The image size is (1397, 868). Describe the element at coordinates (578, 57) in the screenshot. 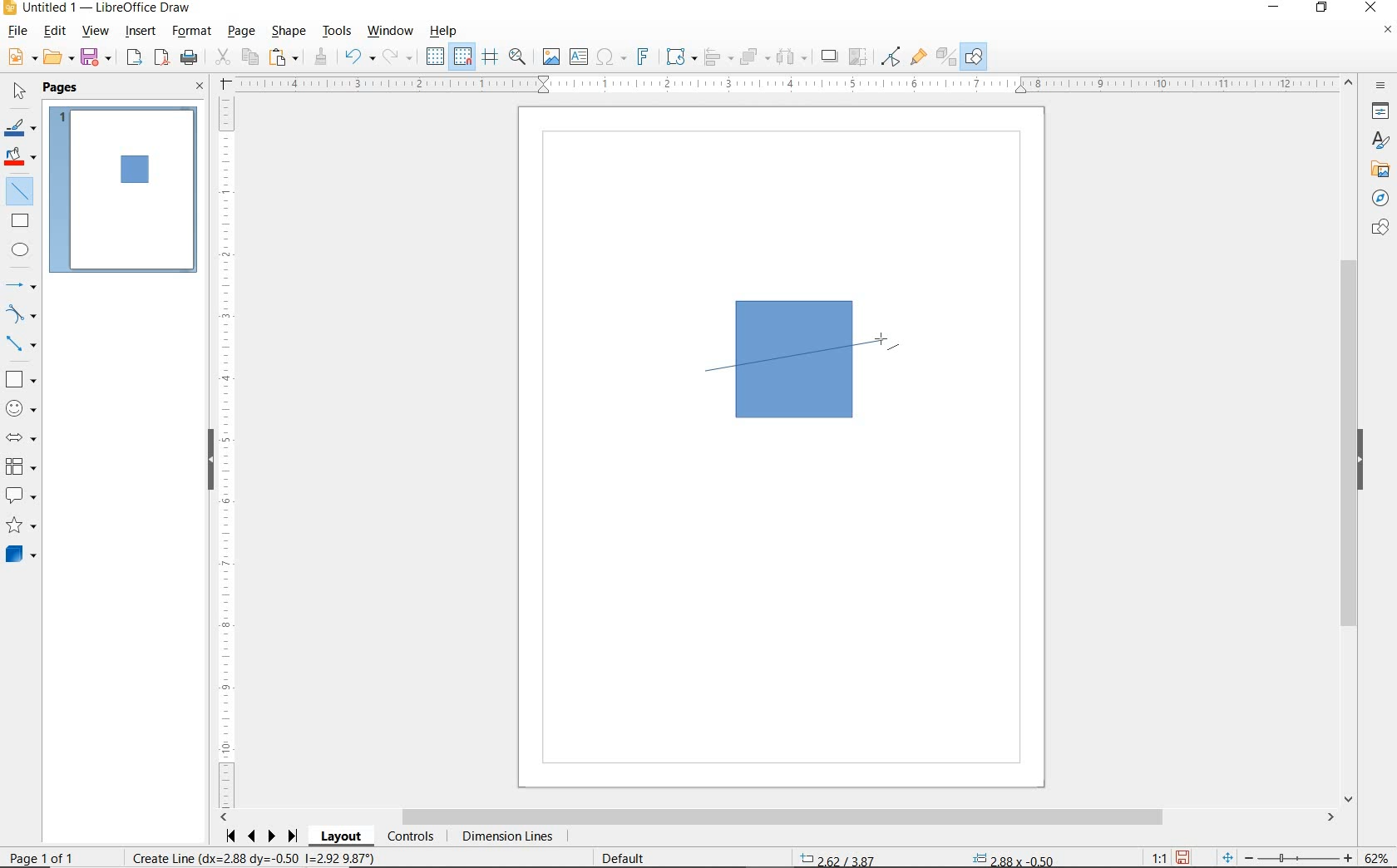

I see `INSERT TEXT BOX` at that location.